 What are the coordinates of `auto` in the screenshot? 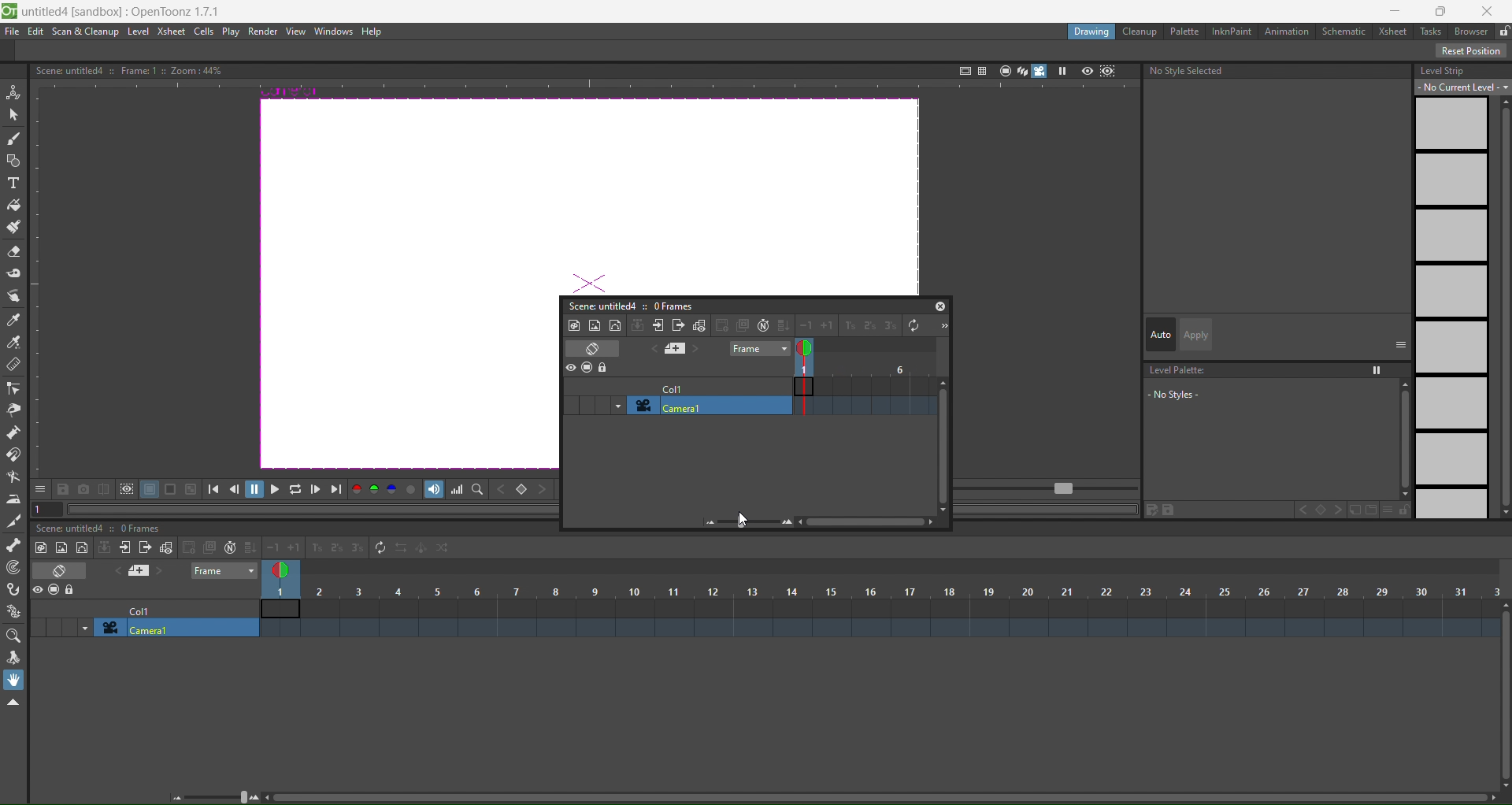 It's located at (1161, 336).